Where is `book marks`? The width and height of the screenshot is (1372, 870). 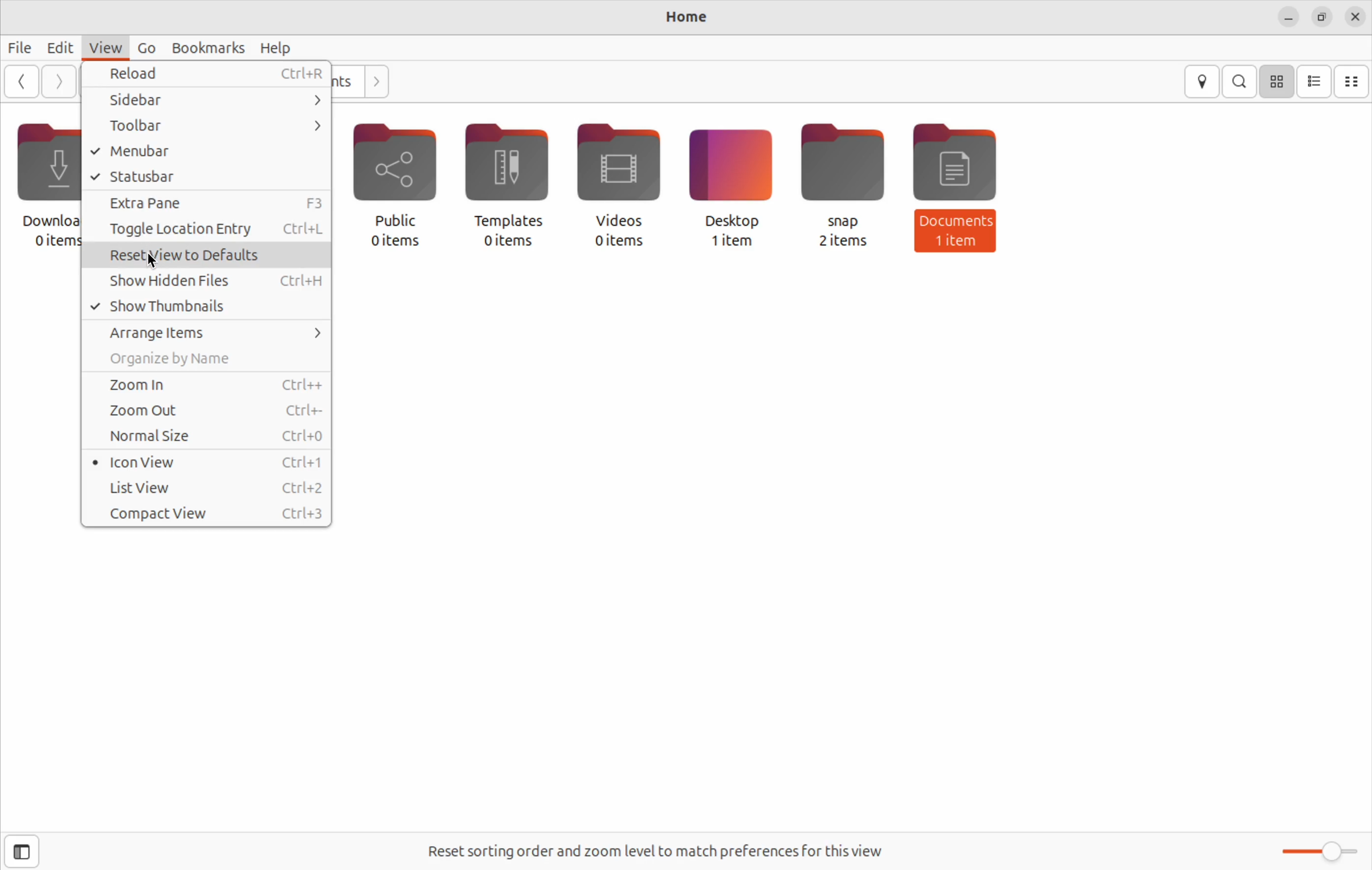
book marks is located at coordinates (211, 47).